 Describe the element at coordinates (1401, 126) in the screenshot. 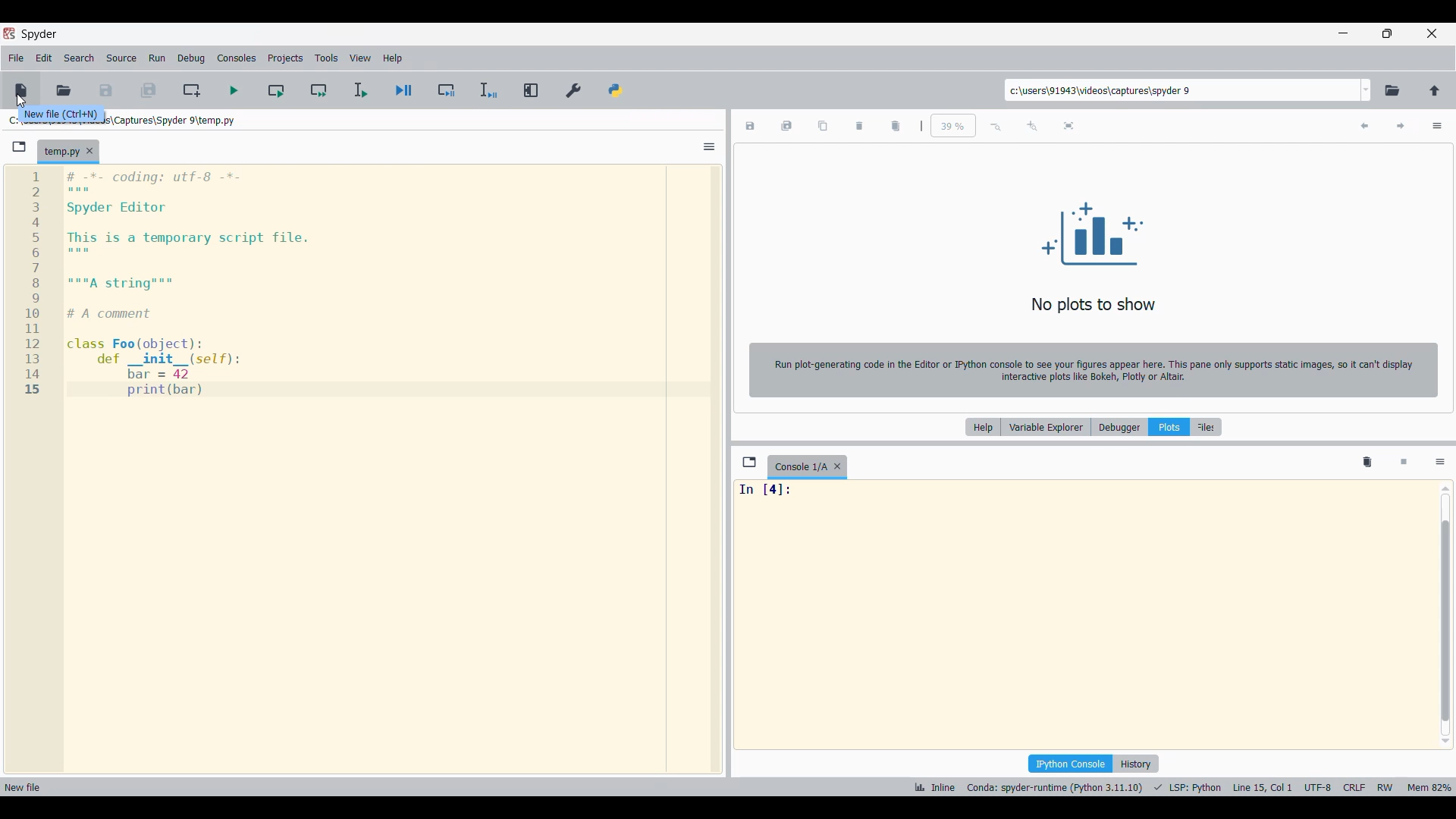

I see `Next plot` at that location.